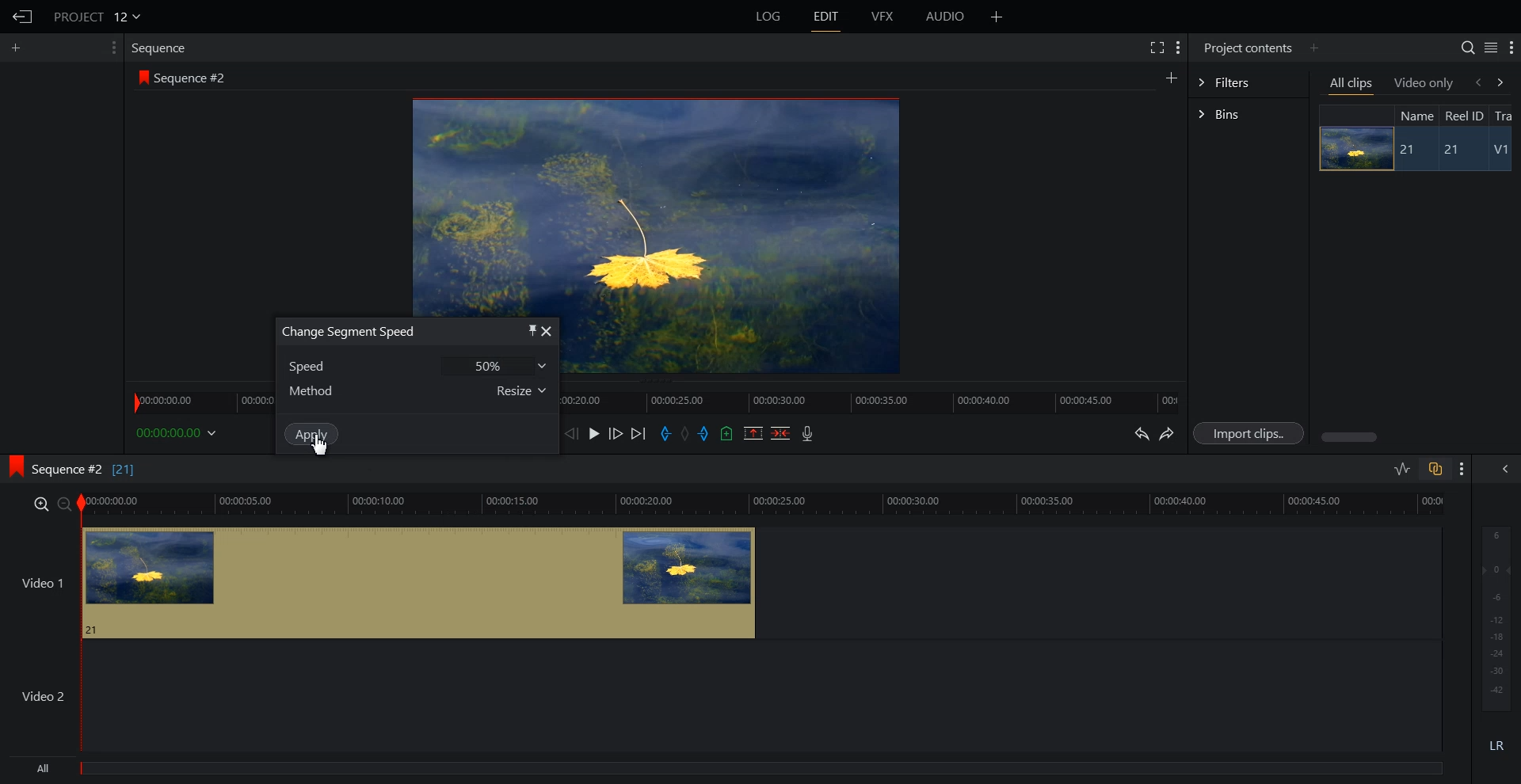  Describe the element at coordinates (572, 433) in the screenshot. I see `Nurse one frame back` at that location.